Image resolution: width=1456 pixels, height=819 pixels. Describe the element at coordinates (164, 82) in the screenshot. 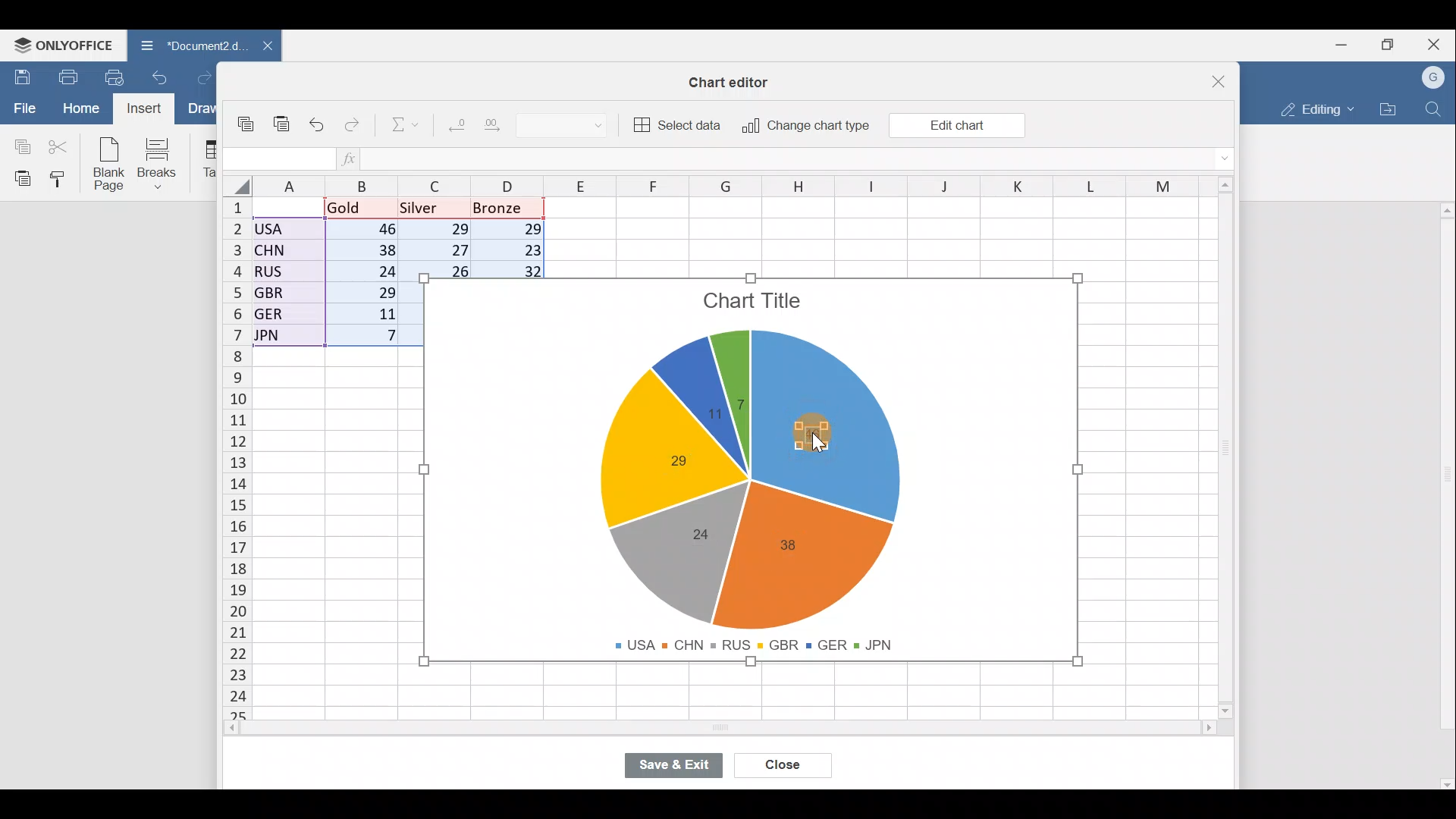

I see `Undo` at that location.